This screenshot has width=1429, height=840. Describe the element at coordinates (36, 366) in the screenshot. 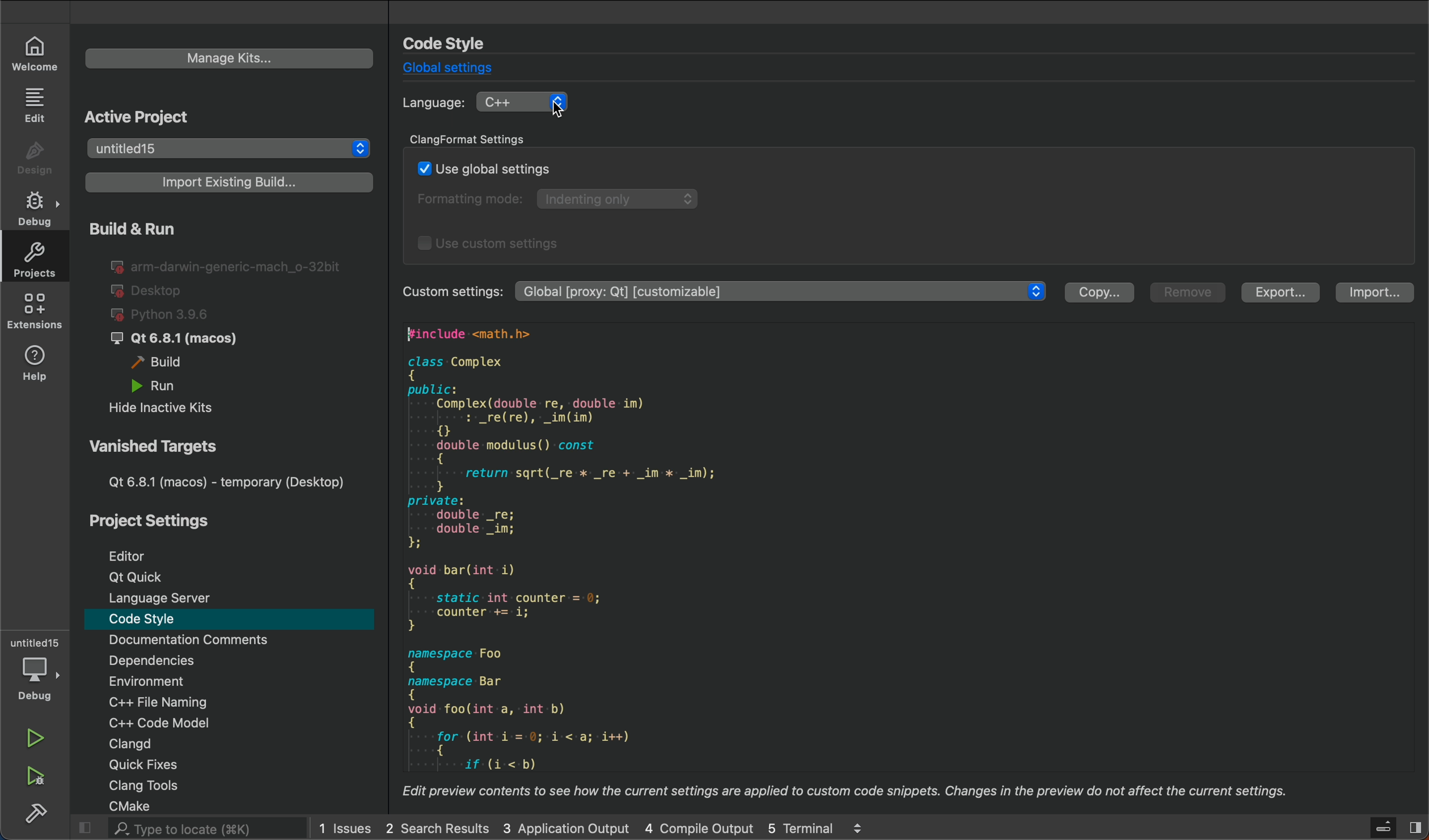

I see `help` at that location.